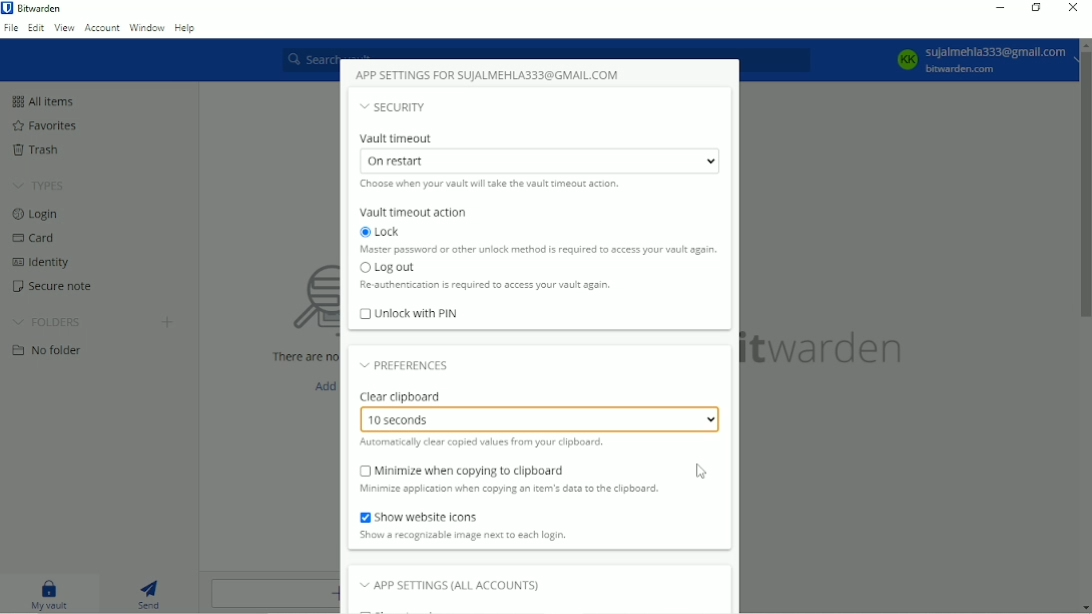  Describe the element at coordinates (166, 322) in the screenshot. I see `Create folder` at that location.